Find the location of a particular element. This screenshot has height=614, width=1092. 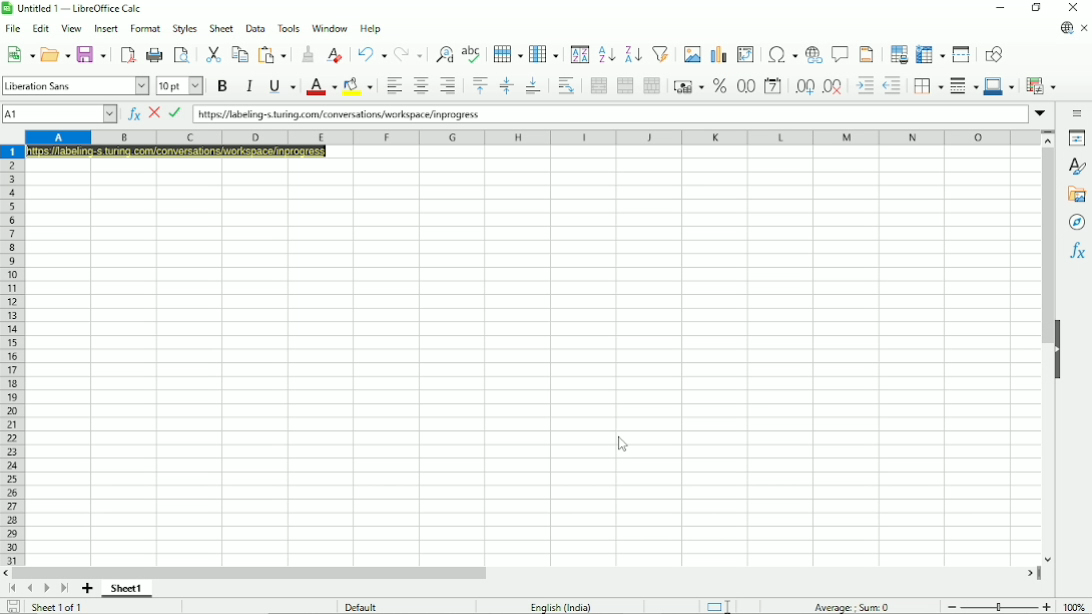

Redo is located at coordinates (410, 55).